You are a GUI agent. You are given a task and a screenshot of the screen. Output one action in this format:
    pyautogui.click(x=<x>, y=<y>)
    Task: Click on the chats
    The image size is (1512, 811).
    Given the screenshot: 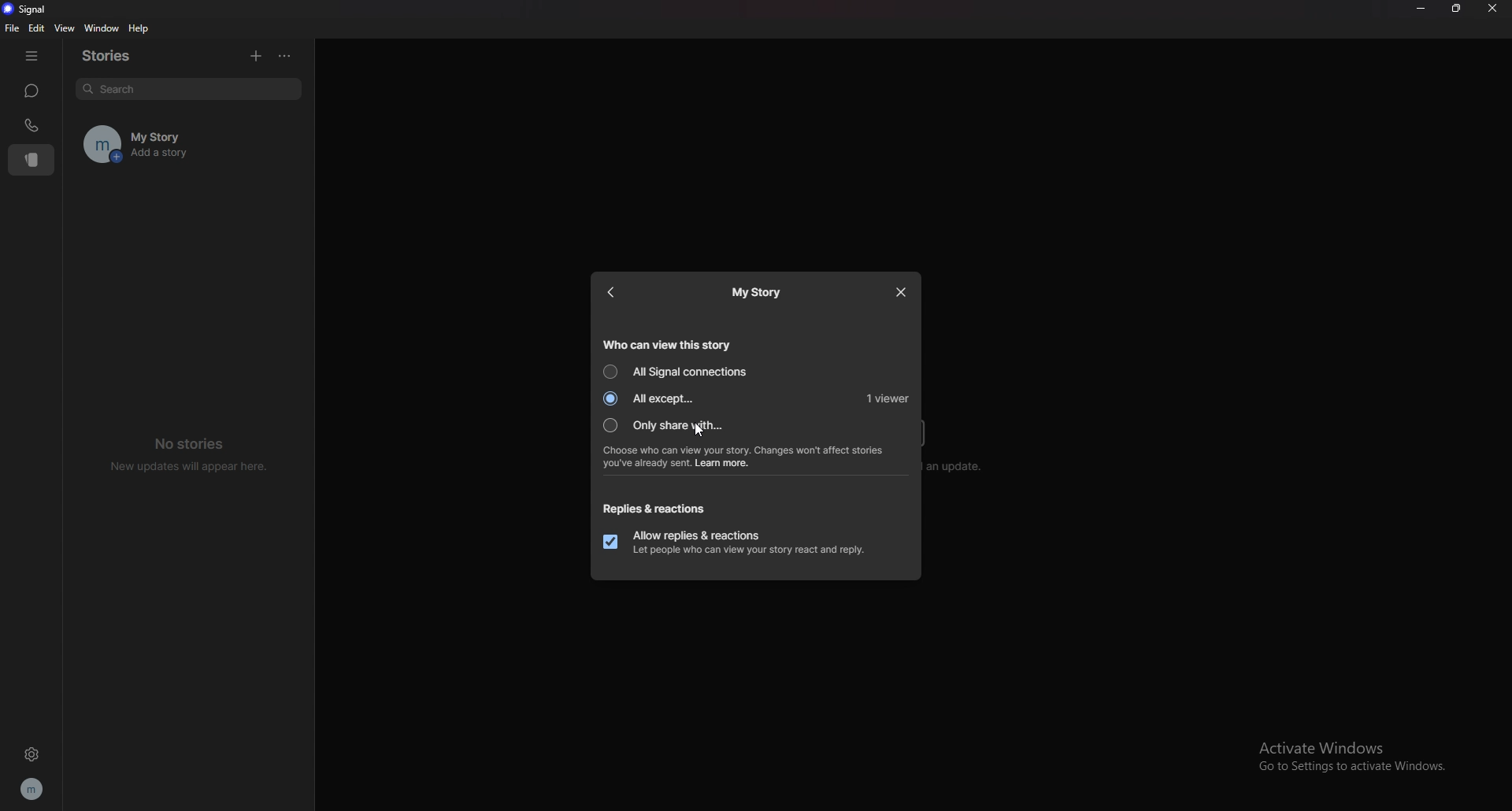 What is the action you would take?
    pyautogui.click(x=32, y=91)
    